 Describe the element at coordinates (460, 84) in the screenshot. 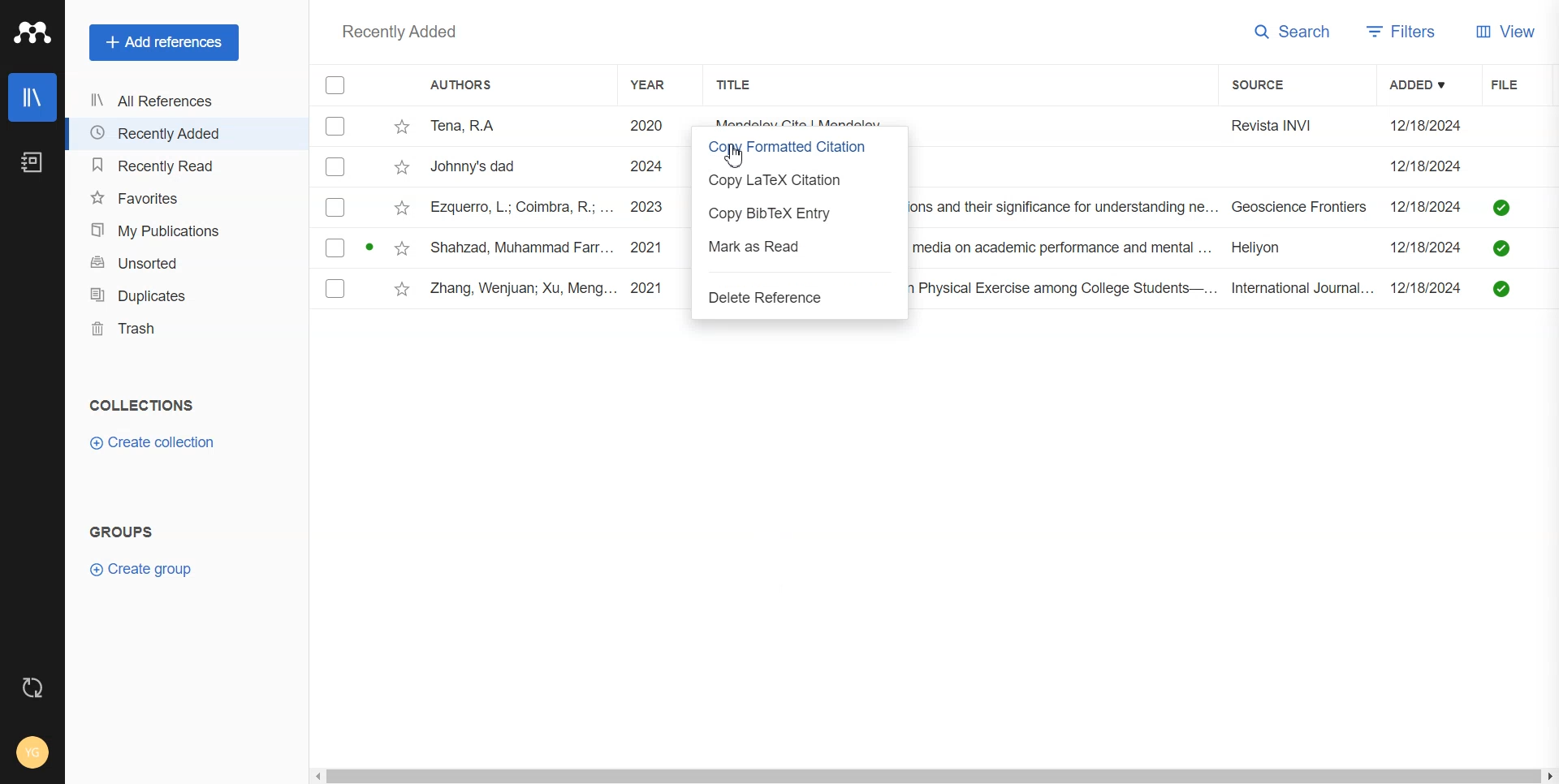

I see `Authors` at that location.